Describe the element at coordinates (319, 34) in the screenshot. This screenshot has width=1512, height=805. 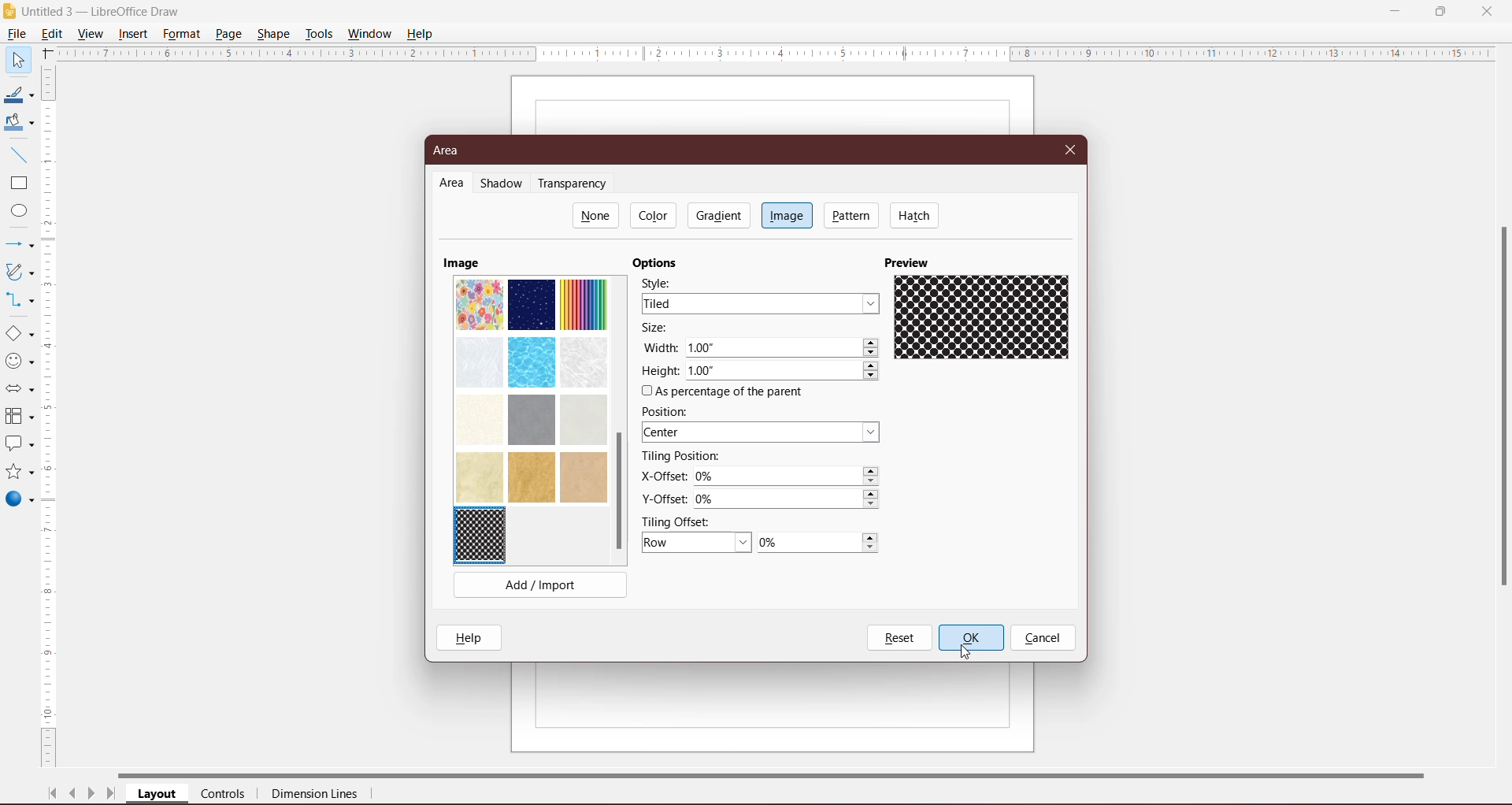
I see `Tools` at that location.